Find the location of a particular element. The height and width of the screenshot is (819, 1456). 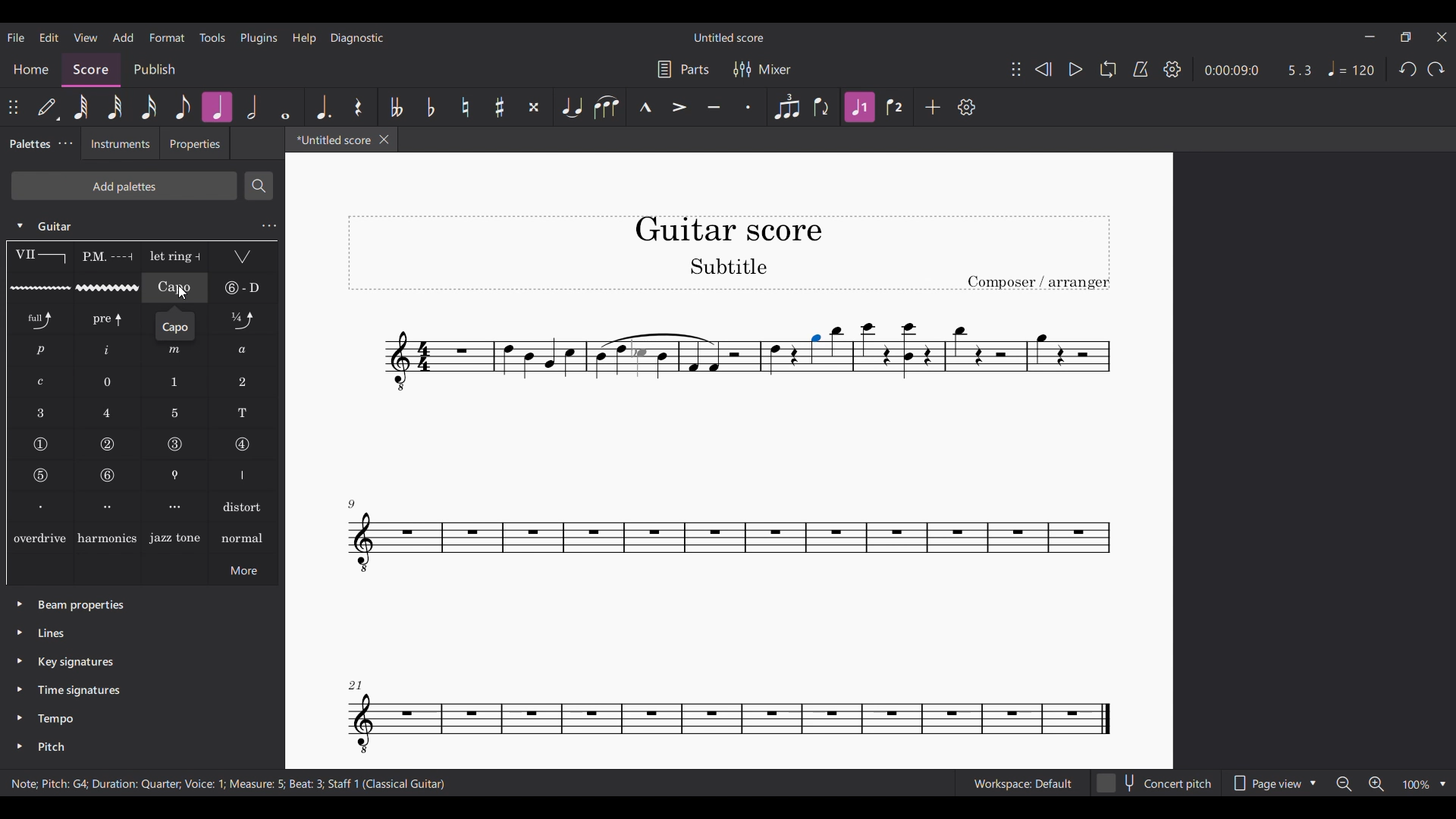

Palm mute is located at coordinates (106, 257).